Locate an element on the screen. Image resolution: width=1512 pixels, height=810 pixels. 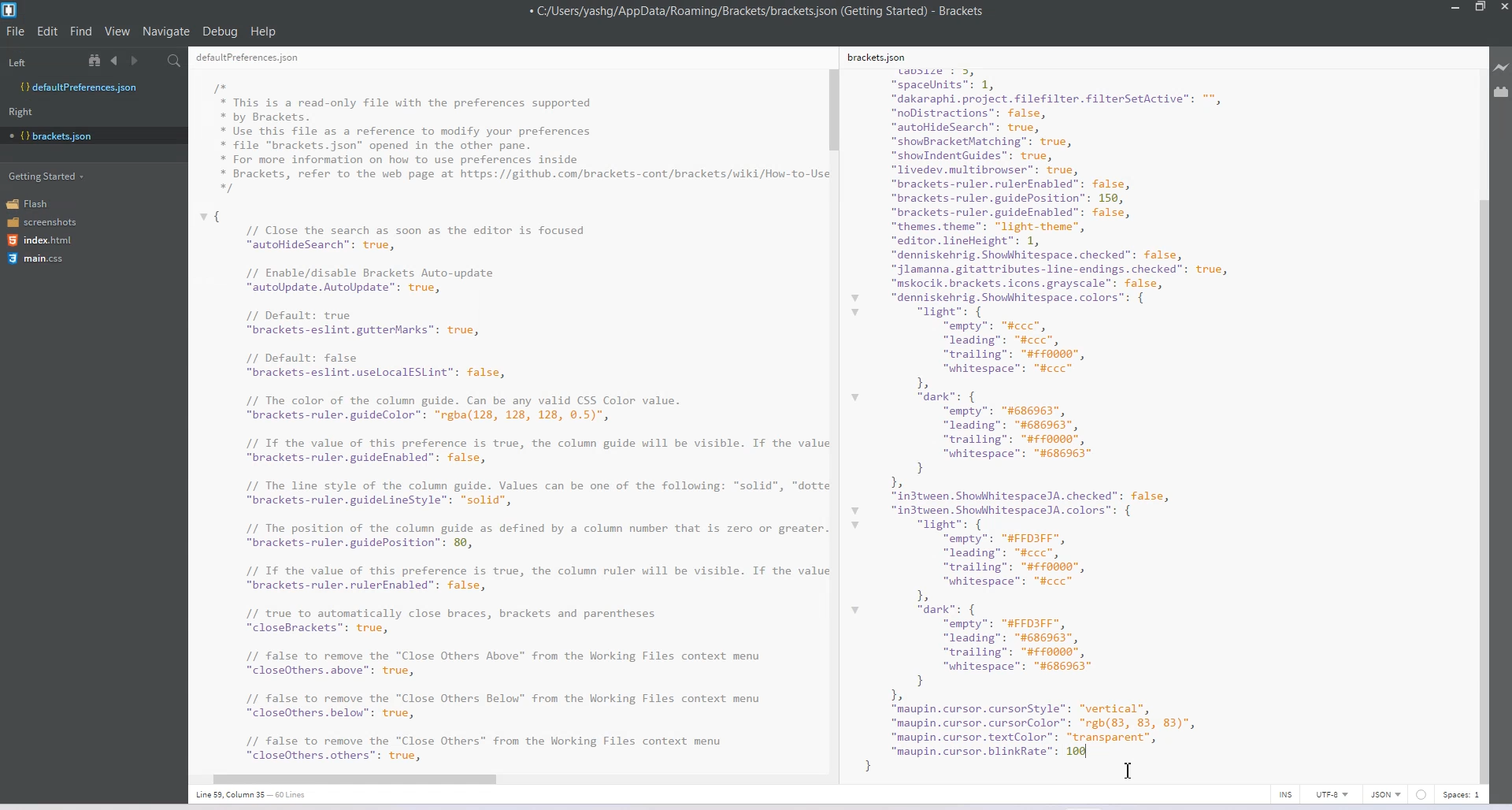
Horizontal Scroll Bar is located at coordinates (502, 776).